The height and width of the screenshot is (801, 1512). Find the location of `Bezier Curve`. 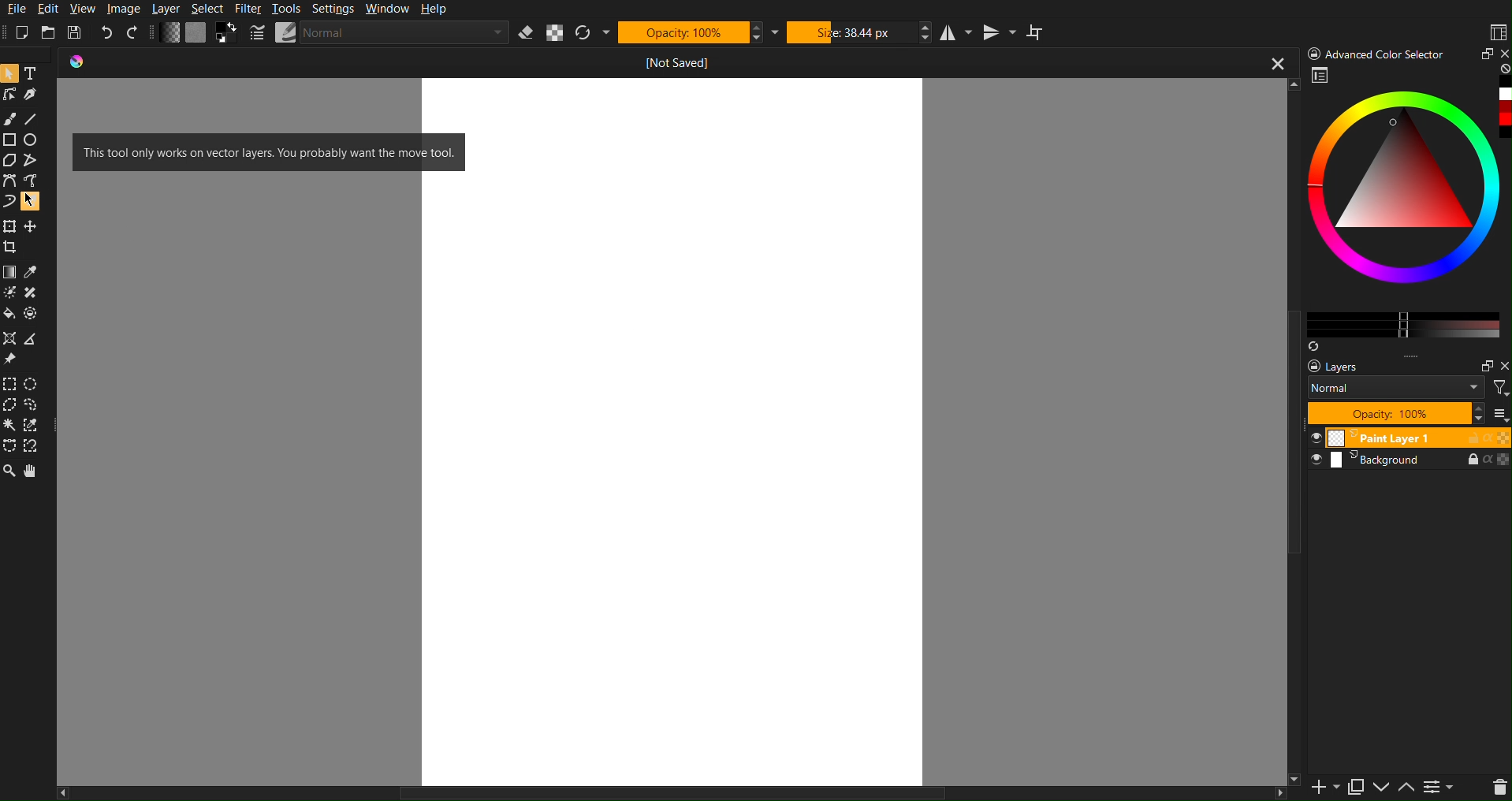

Bezier Curve is located at coordinates (9, 181).